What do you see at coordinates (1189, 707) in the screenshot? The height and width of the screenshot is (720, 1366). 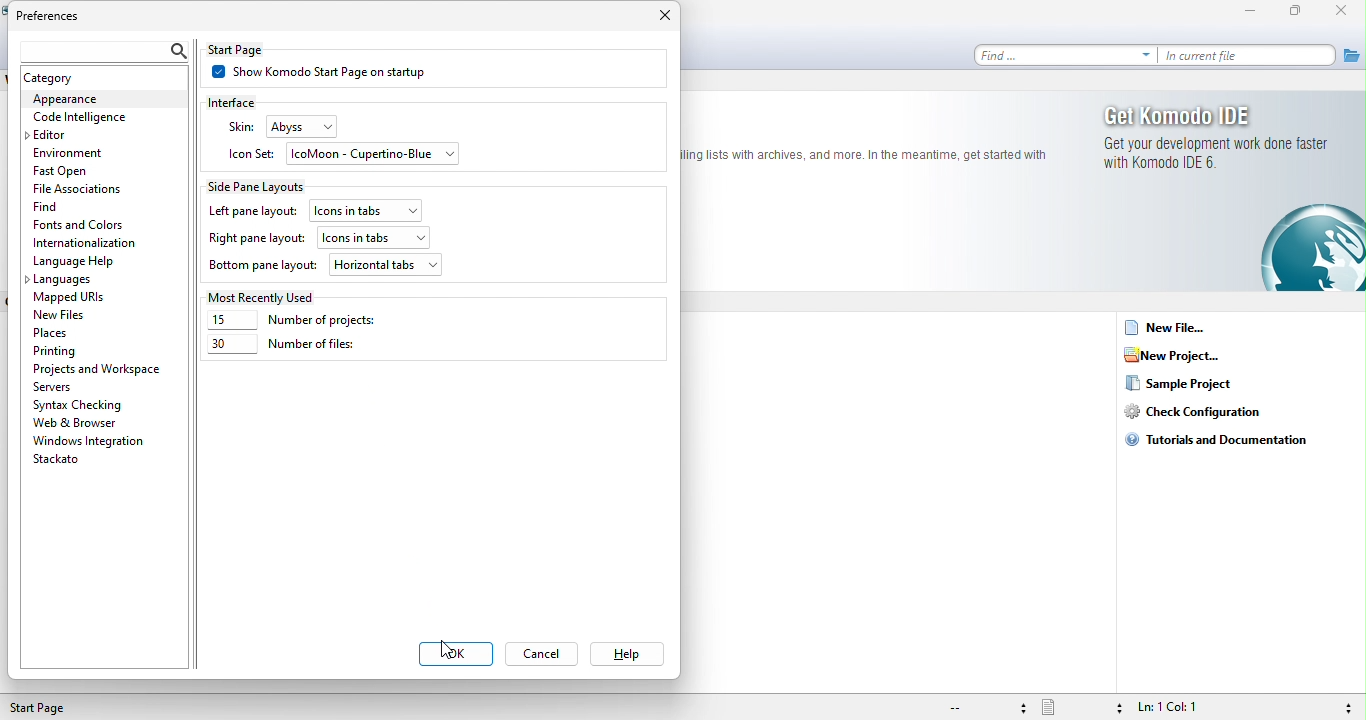 I see `ln 1, col 1` at bounding box center [1189, 707].